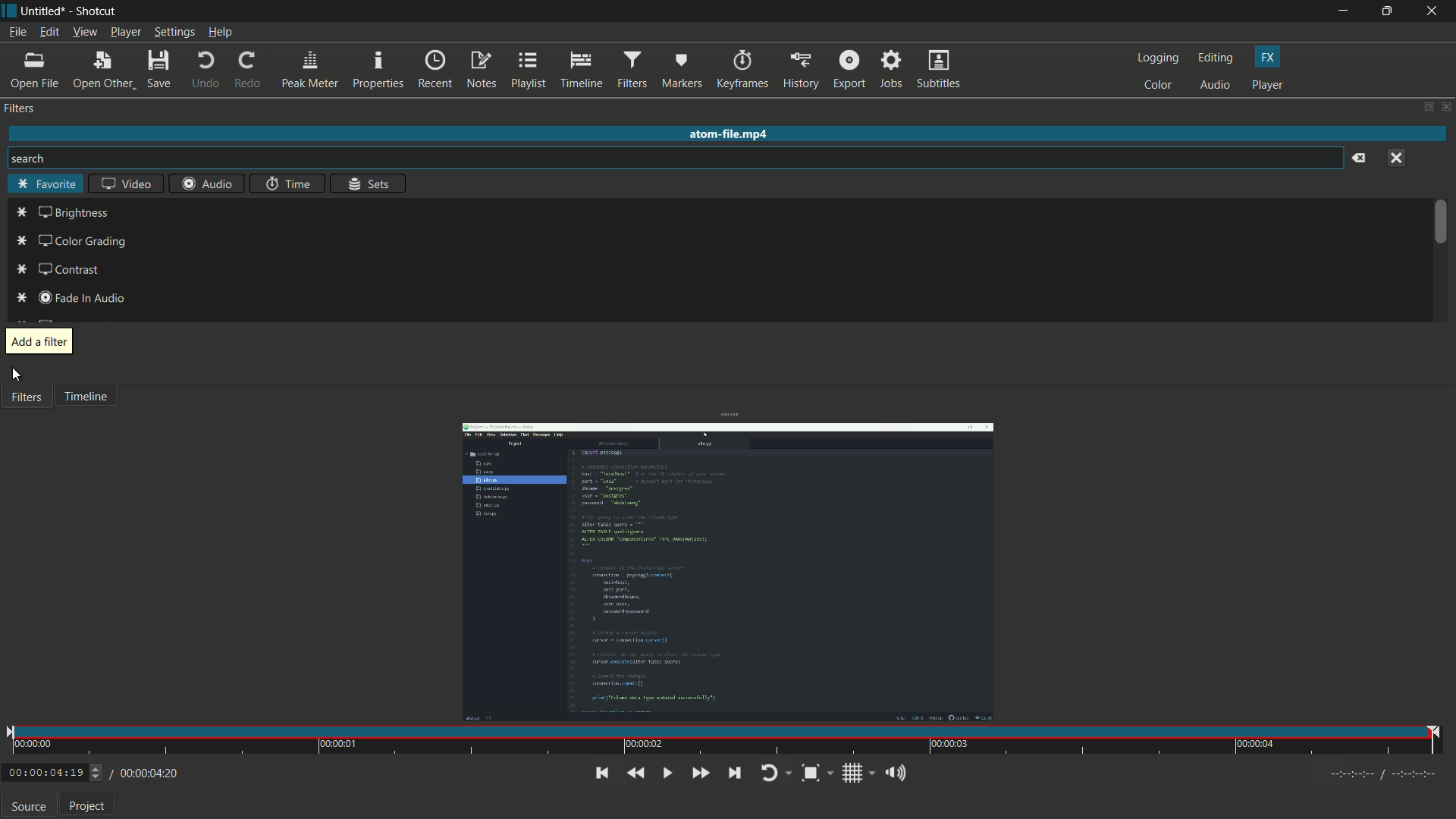  I want to click on favorite, so click(44, 184).